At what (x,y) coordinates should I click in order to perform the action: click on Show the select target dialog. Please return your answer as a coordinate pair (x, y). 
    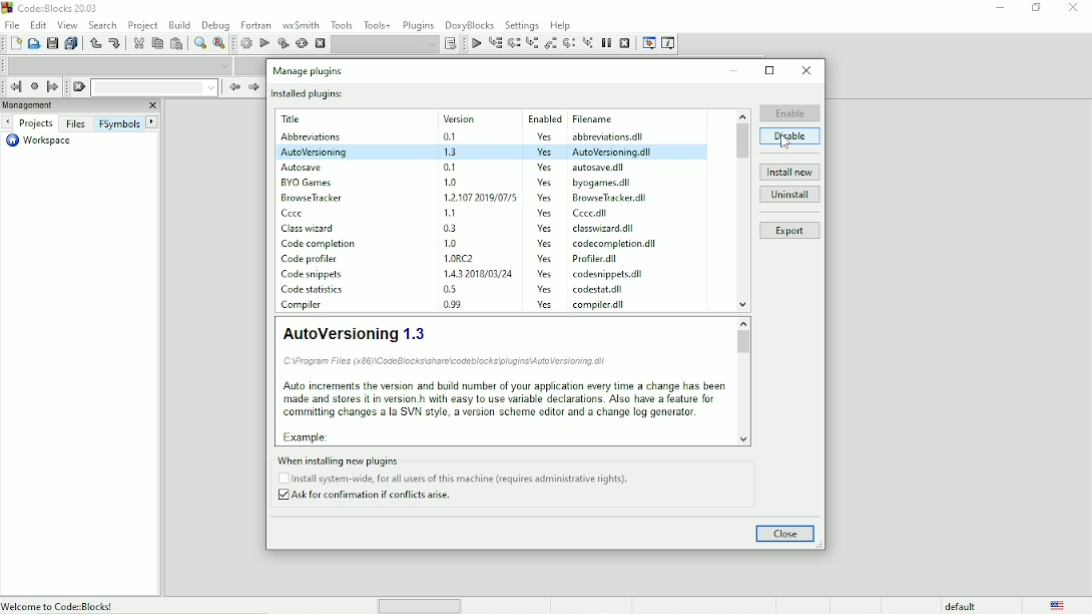
    Looking at the image, I should click on (452, 44).